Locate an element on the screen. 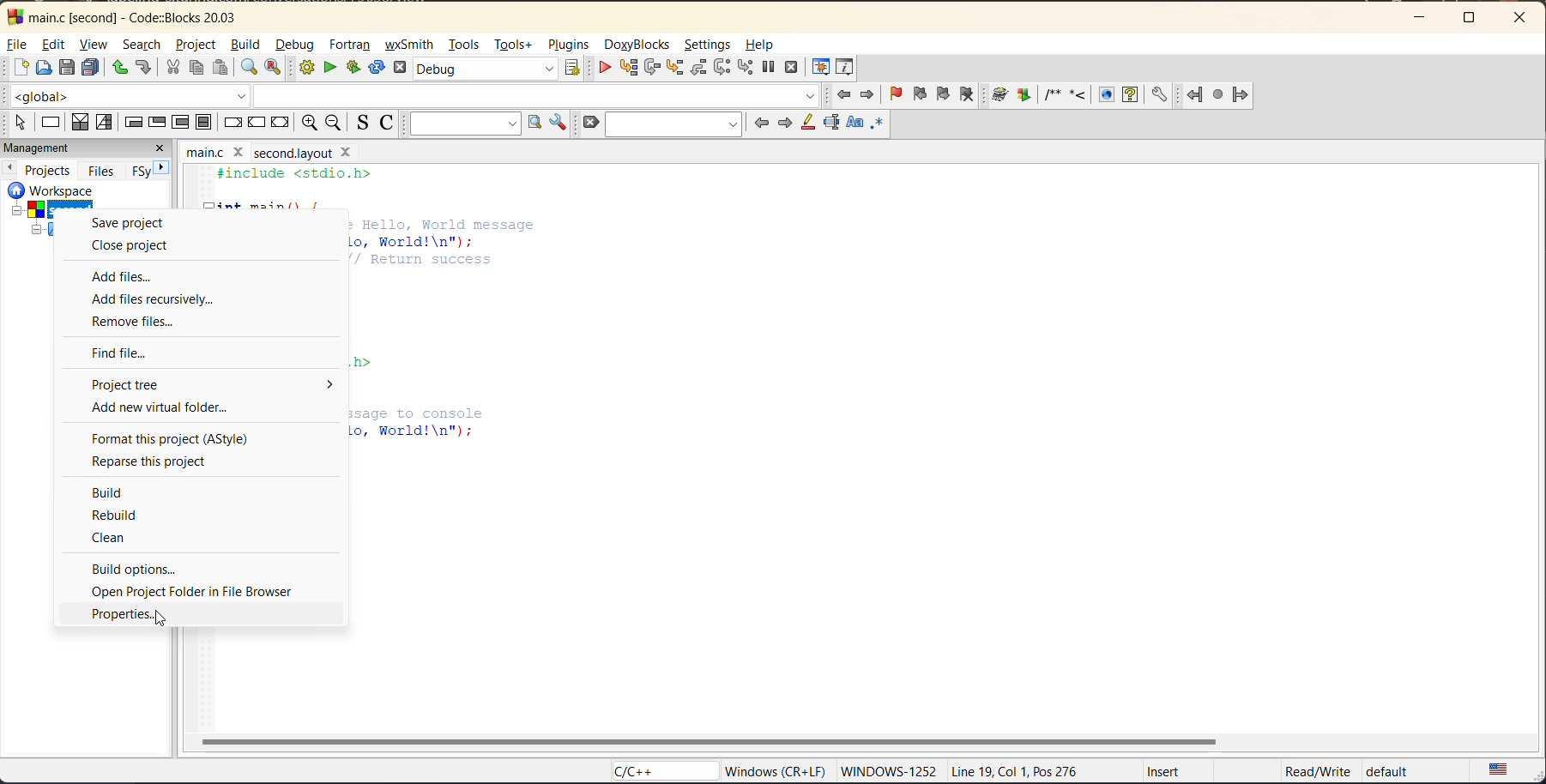 This screenshot has height=784, width=1546. new is located at coordinates (17, 69).